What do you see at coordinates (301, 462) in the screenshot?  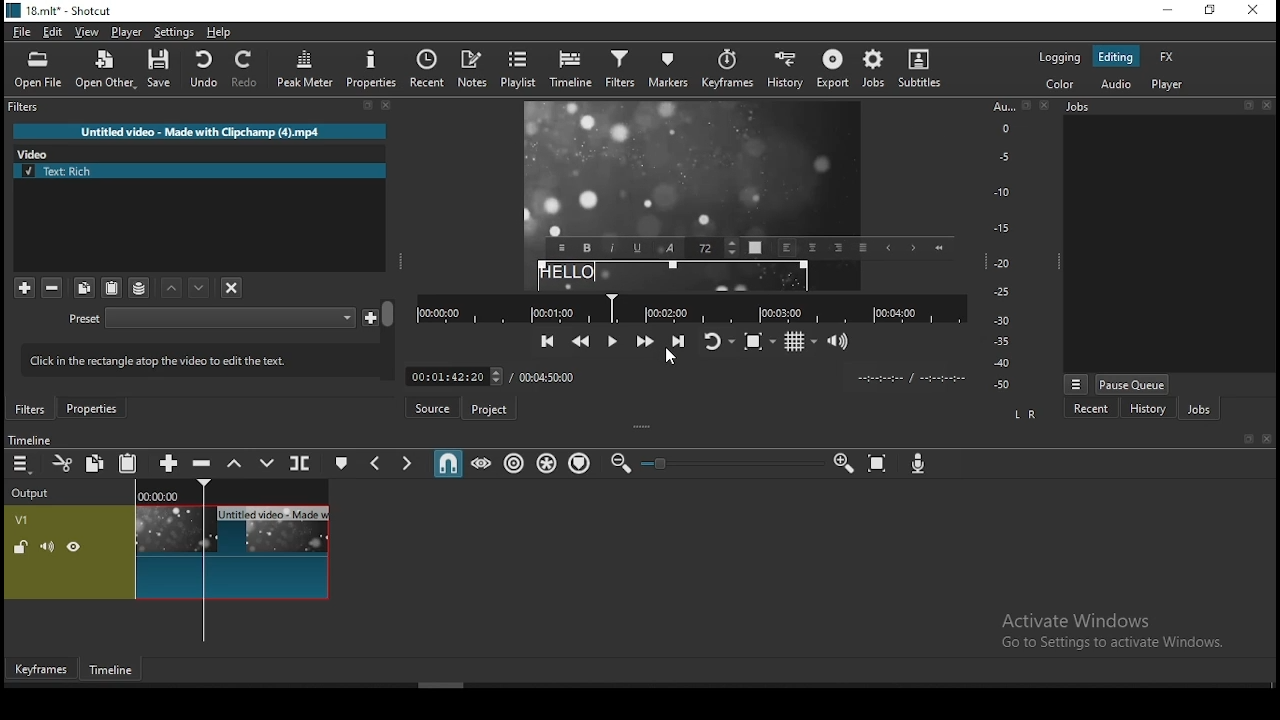 I see `split at playhead` at bounding box center [301, 462].